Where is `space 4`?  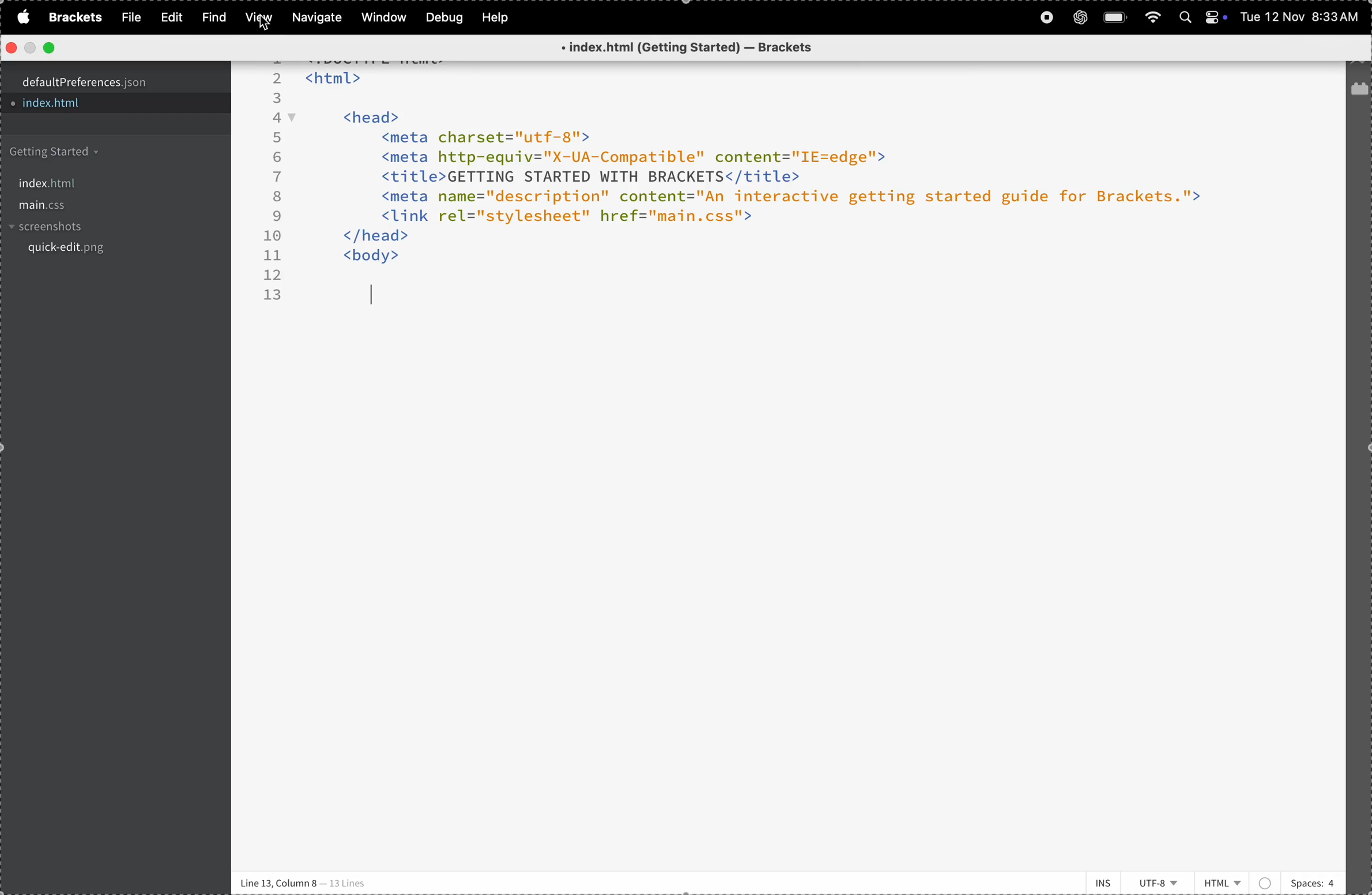 space 4 is located at coordinates (1312, 881).